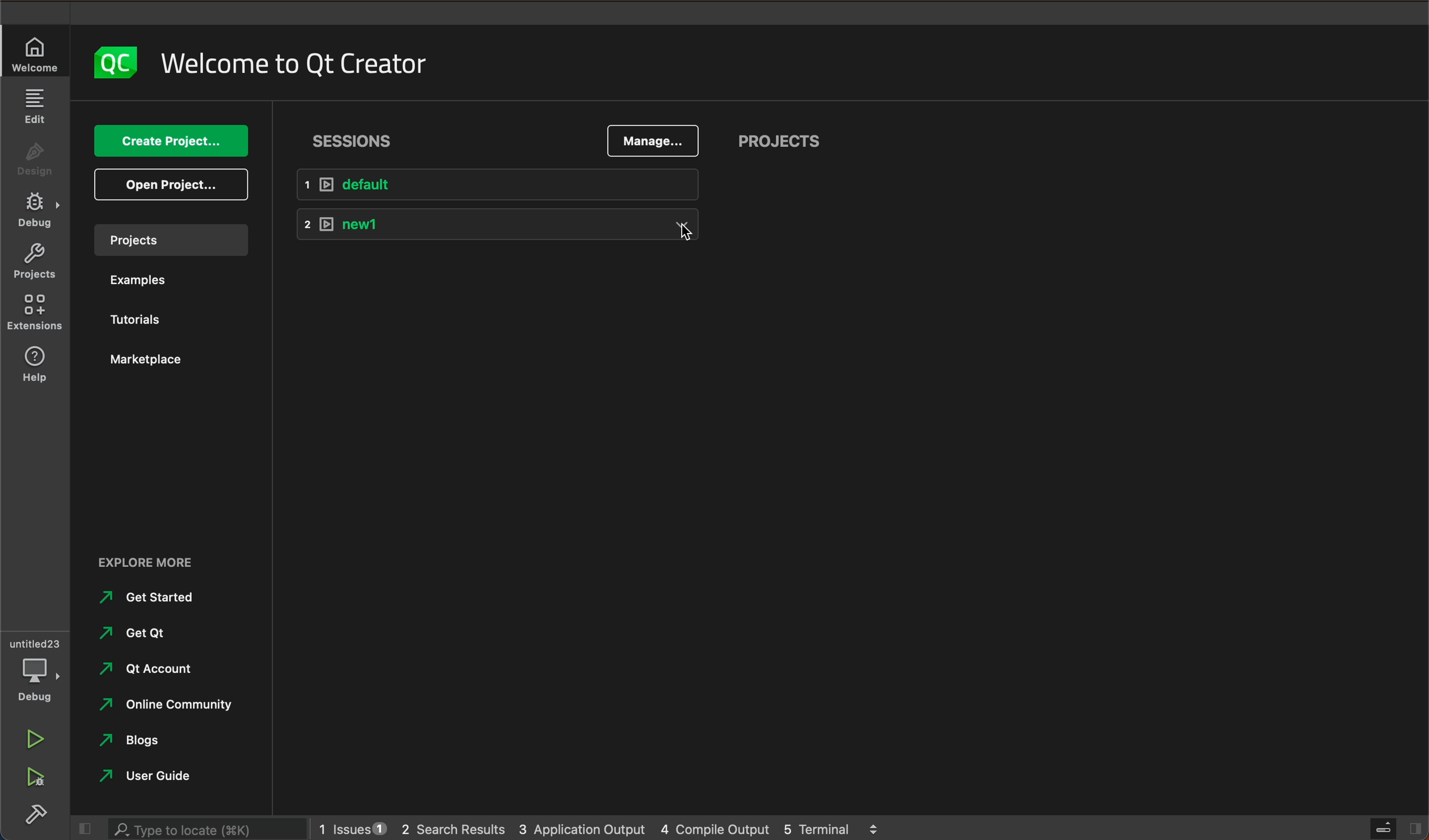 The image size is (1429, 840). I want to click on welcome, so click(36, 54).